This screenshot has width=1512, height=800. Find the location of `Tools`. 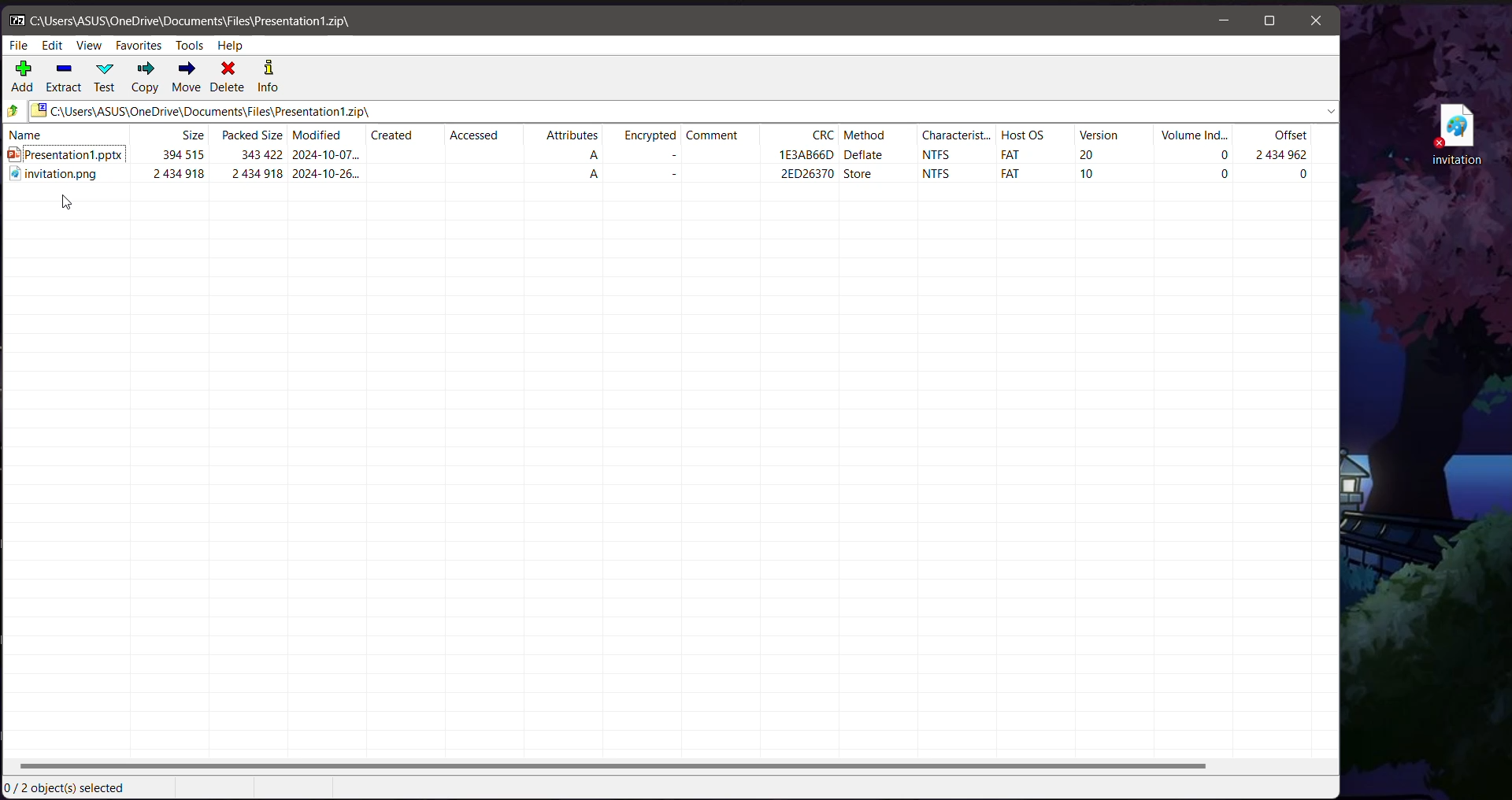

Tools is located at coordinates (189, 46).